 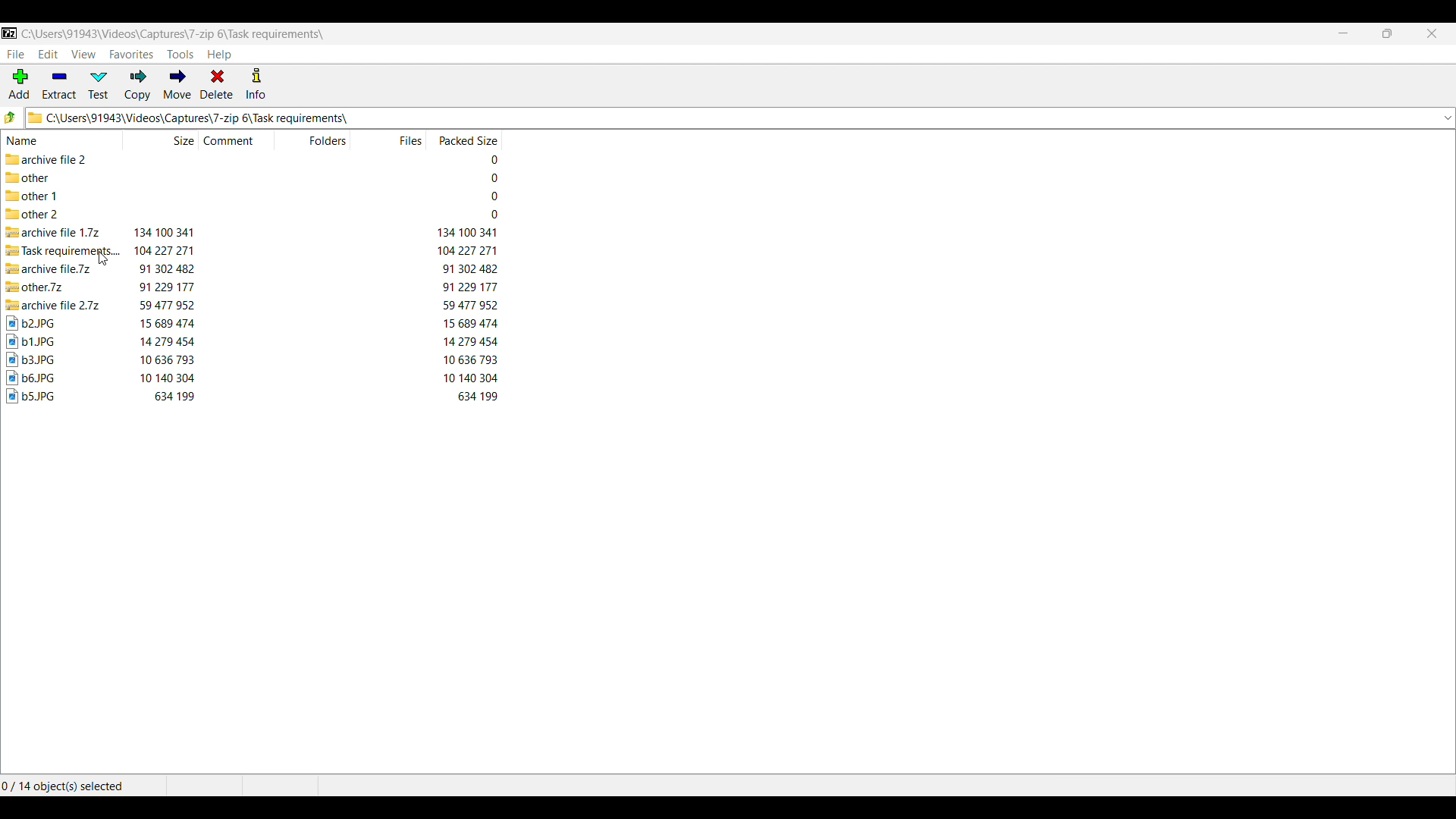 What do you see at coordinates (465, 395) in the screenshot?
I see `packed size` at bounding box center [465, 395].